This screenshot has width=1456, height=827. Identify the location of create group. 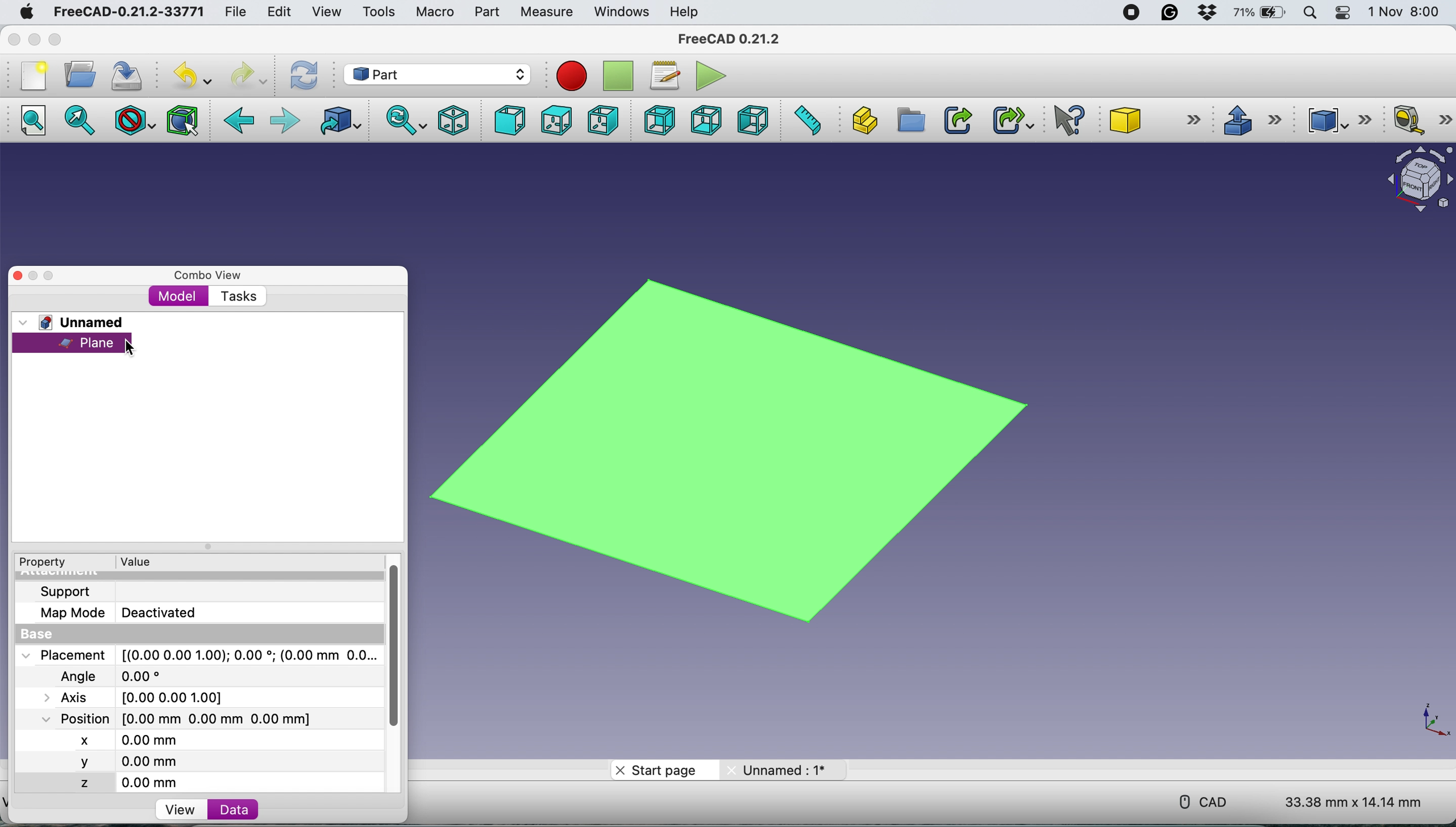
(918, 120).